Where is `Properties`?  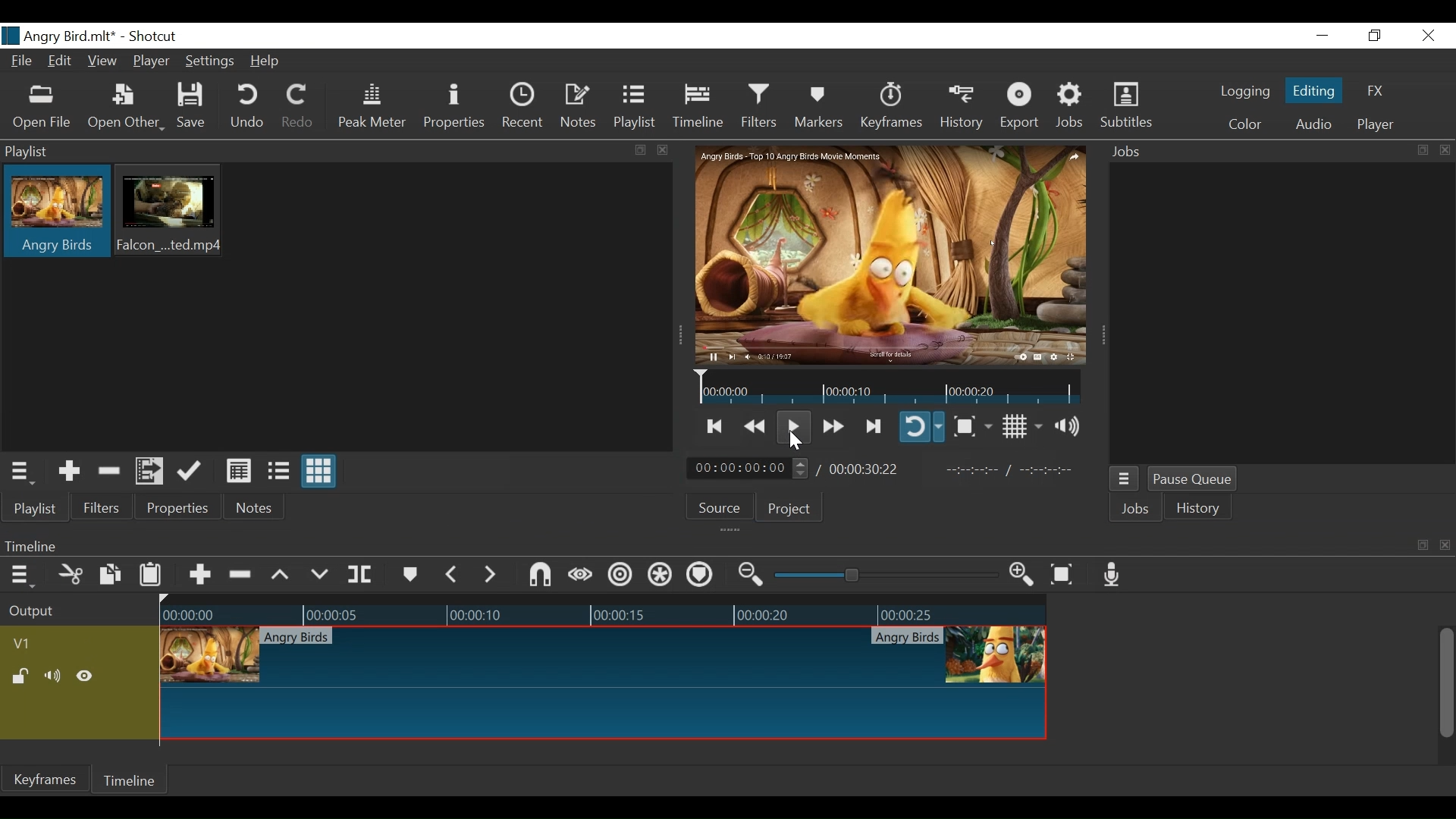 Properties is located at coordinates (180, 509).